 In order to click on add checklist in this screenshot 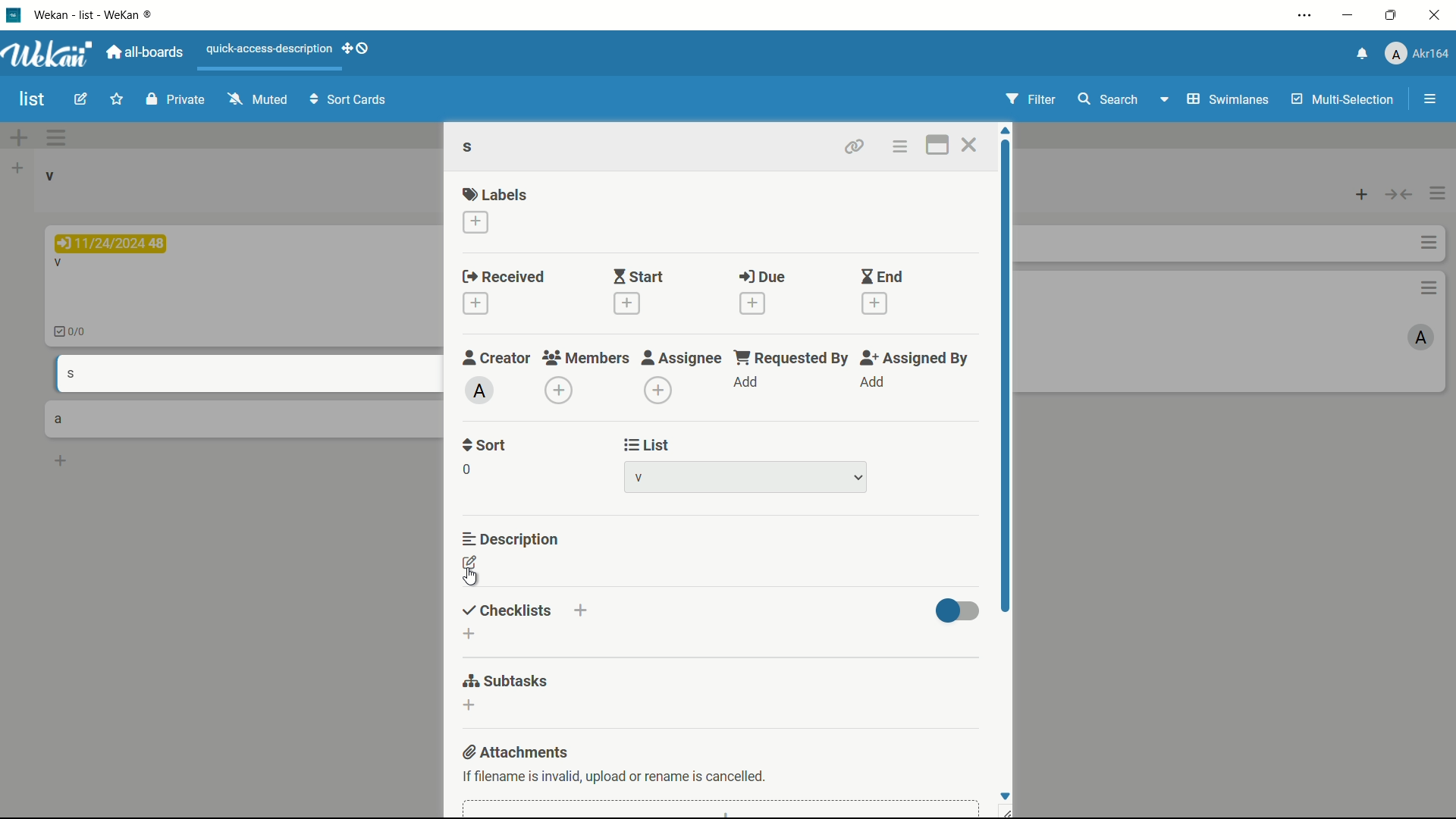, I will do `click(469, 633)`.